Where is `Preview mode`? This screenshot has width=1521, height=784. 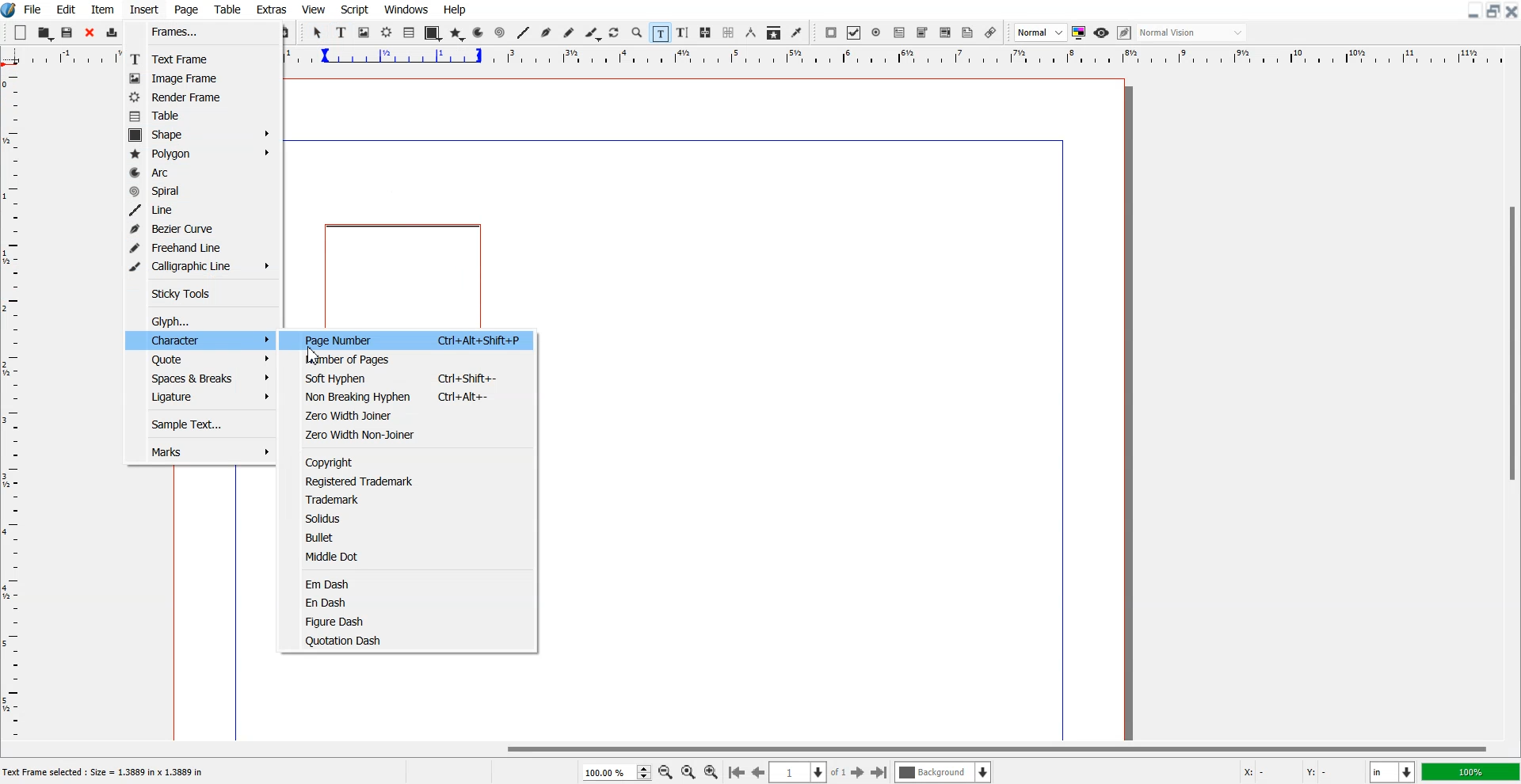
Preview mode is located at coordinates (1102, 32).